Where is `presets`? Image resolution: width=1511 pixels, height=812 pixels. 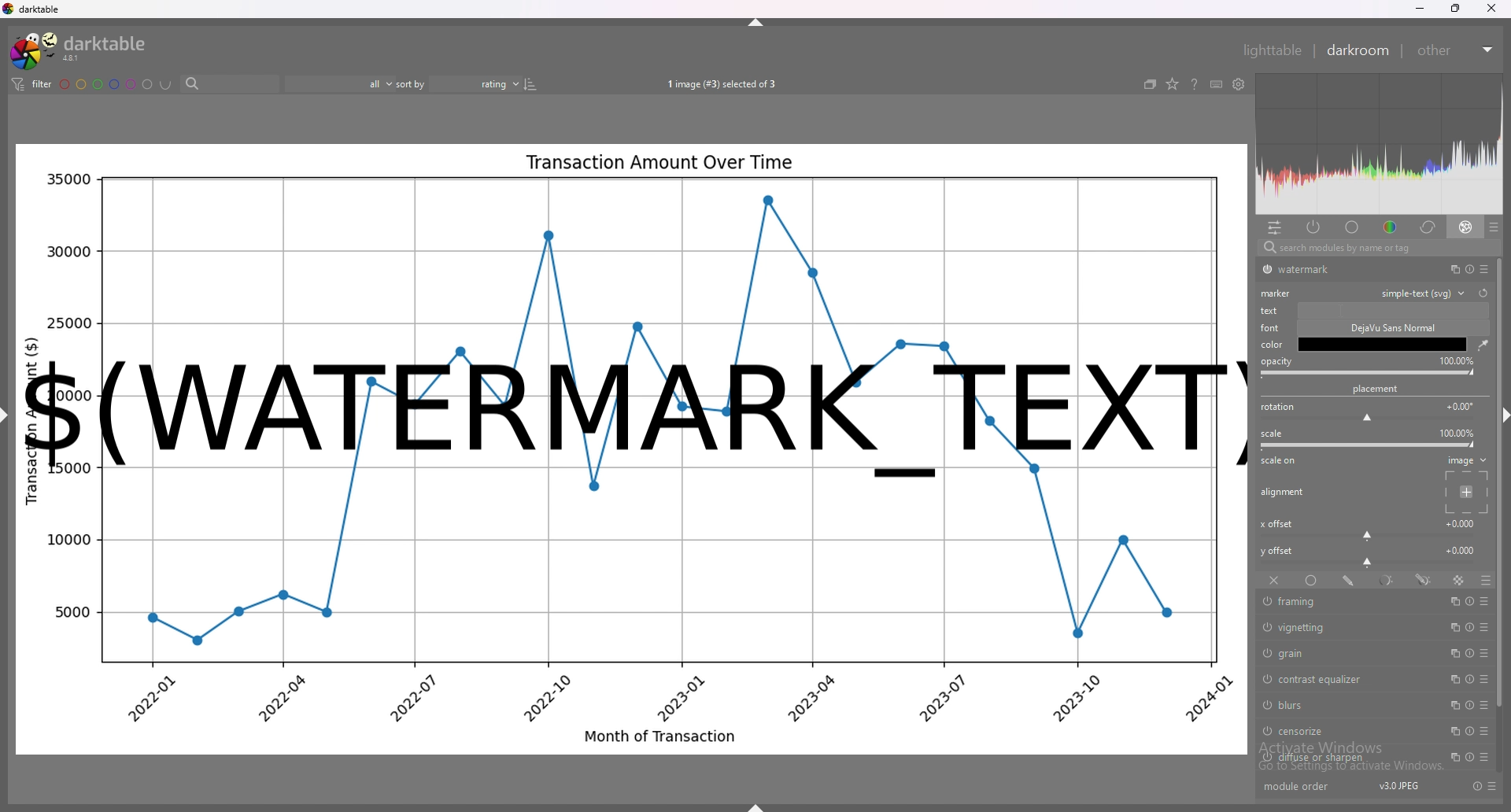
presets is located at coordinates (1485, 654).